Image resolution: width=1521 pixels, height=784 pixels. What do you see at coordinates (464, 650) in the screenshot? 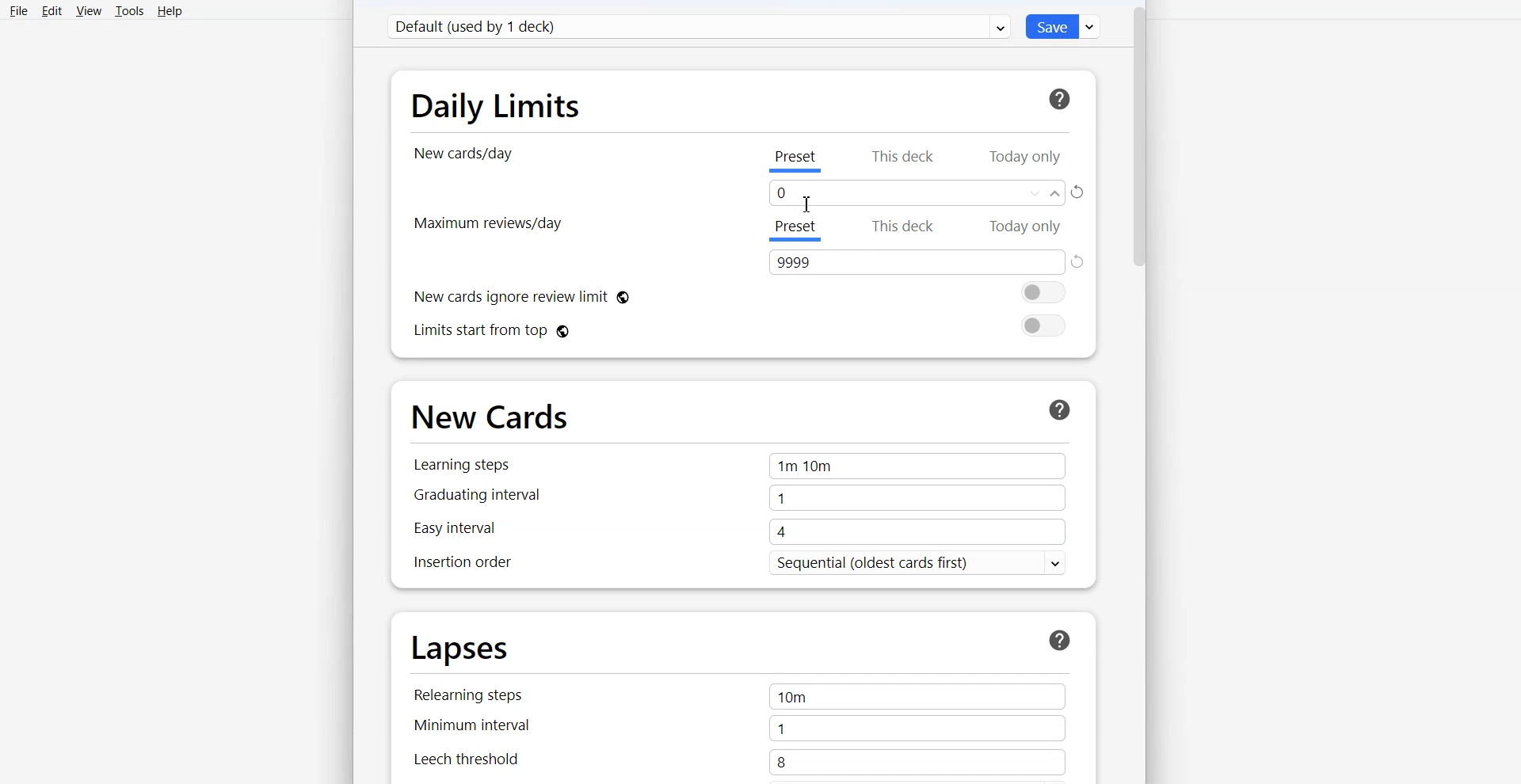
I see `Lapses` at bounding box center [464, 650].